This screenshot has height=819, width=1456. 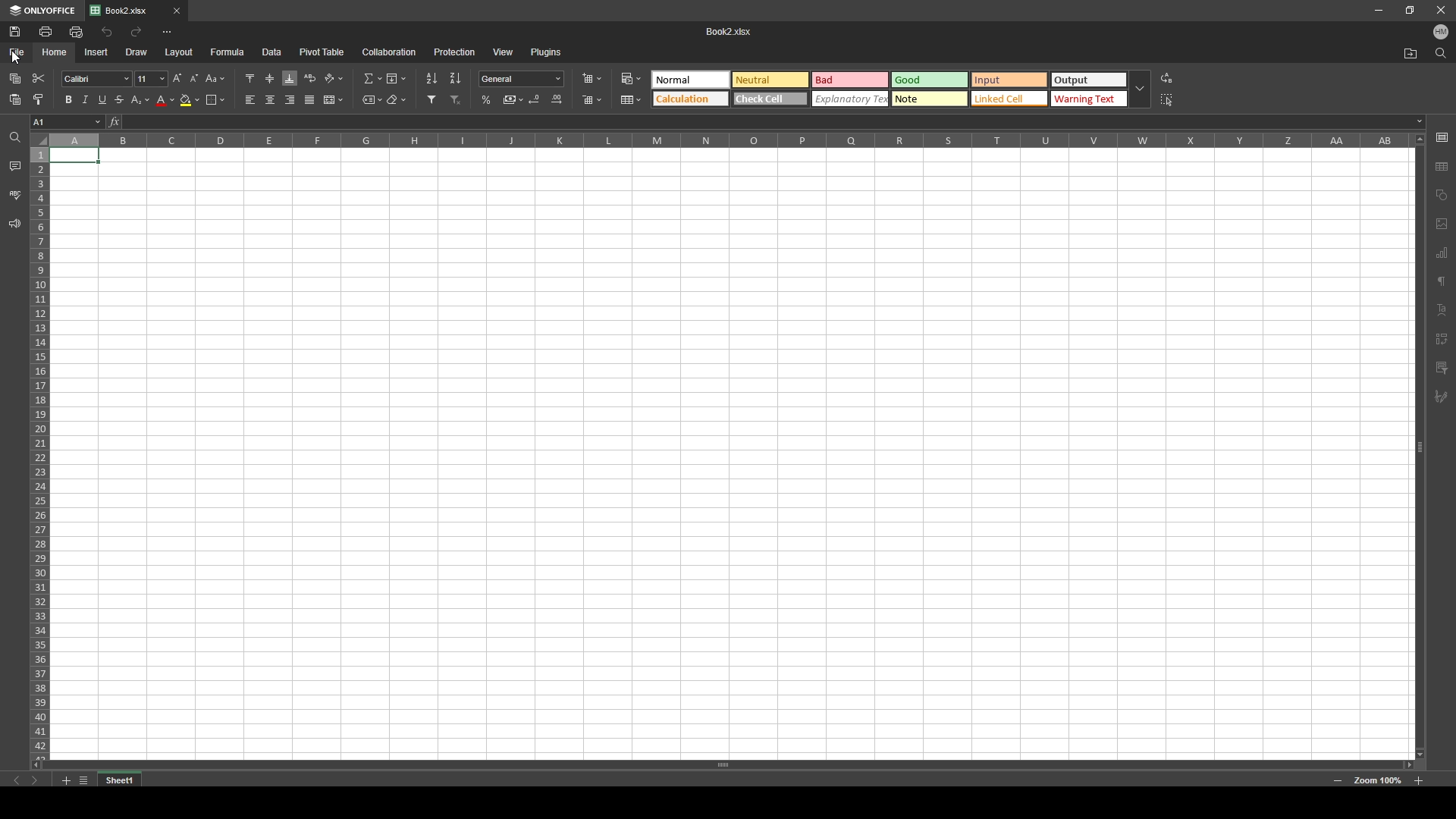 I want to click on comma style, so click(x=513, y=99).